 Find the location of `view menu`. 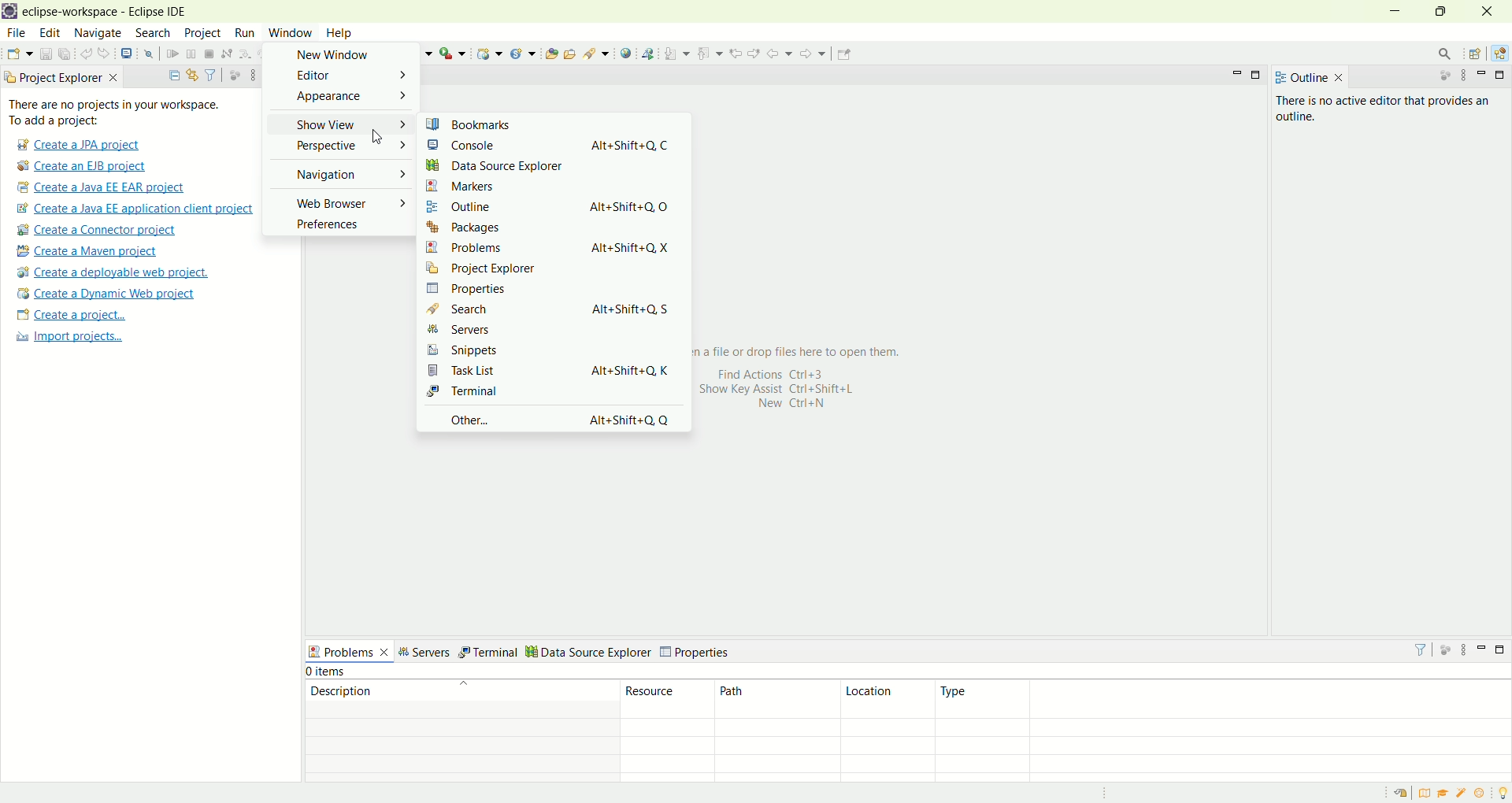

view menu is located at coordinates (1463, 76).